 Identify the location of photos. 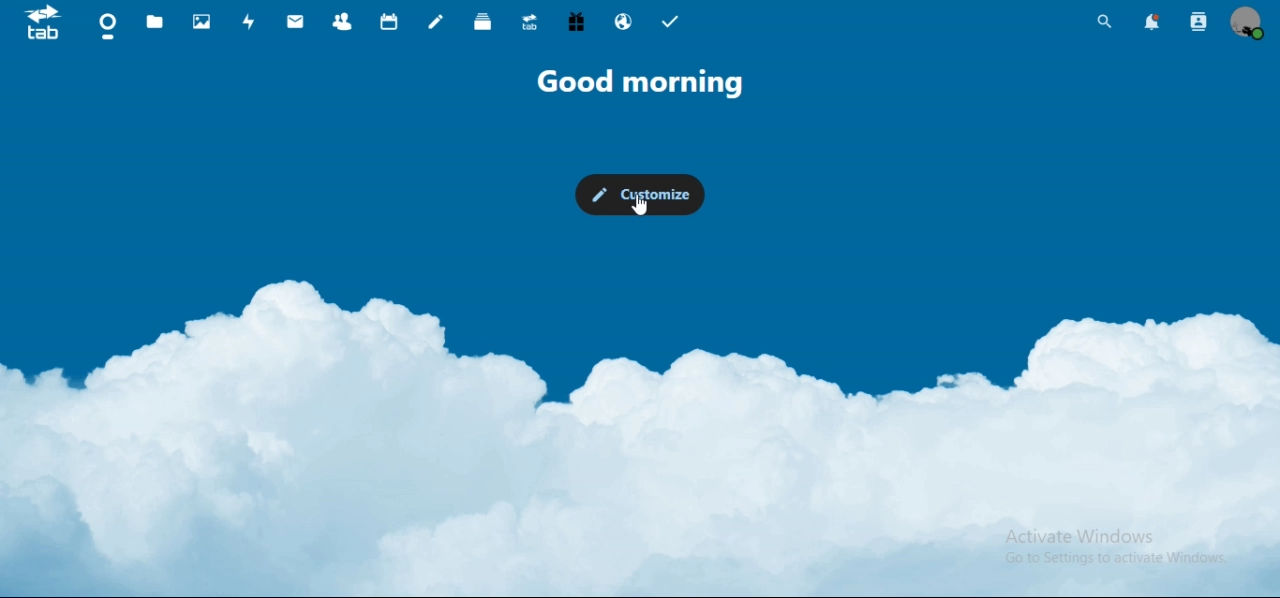
(202, 23).